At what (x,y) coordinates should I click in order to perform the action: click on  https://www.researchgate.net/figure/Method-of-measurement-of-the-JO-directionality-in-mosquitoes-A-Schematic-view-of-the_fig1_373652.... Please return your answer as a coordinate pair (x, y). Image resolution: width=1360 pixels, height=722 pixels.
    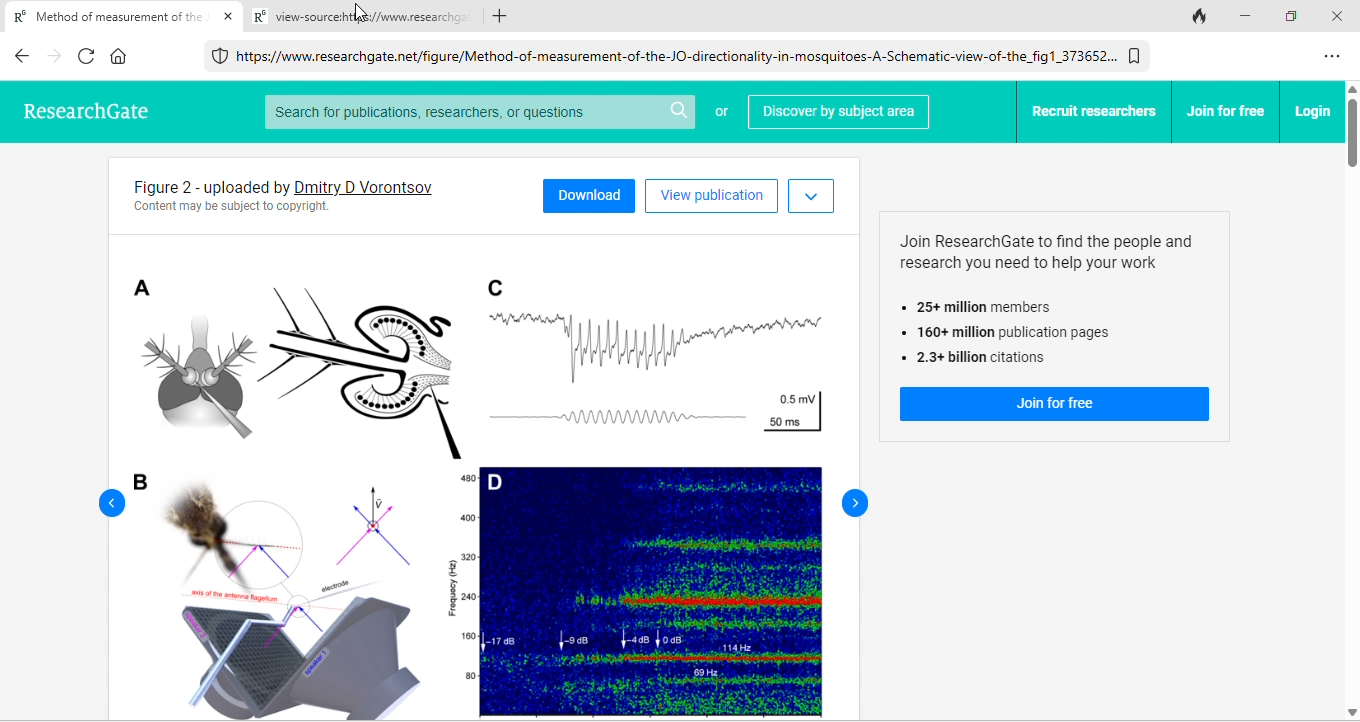
    Looking at the image, I should click on (678, 55).